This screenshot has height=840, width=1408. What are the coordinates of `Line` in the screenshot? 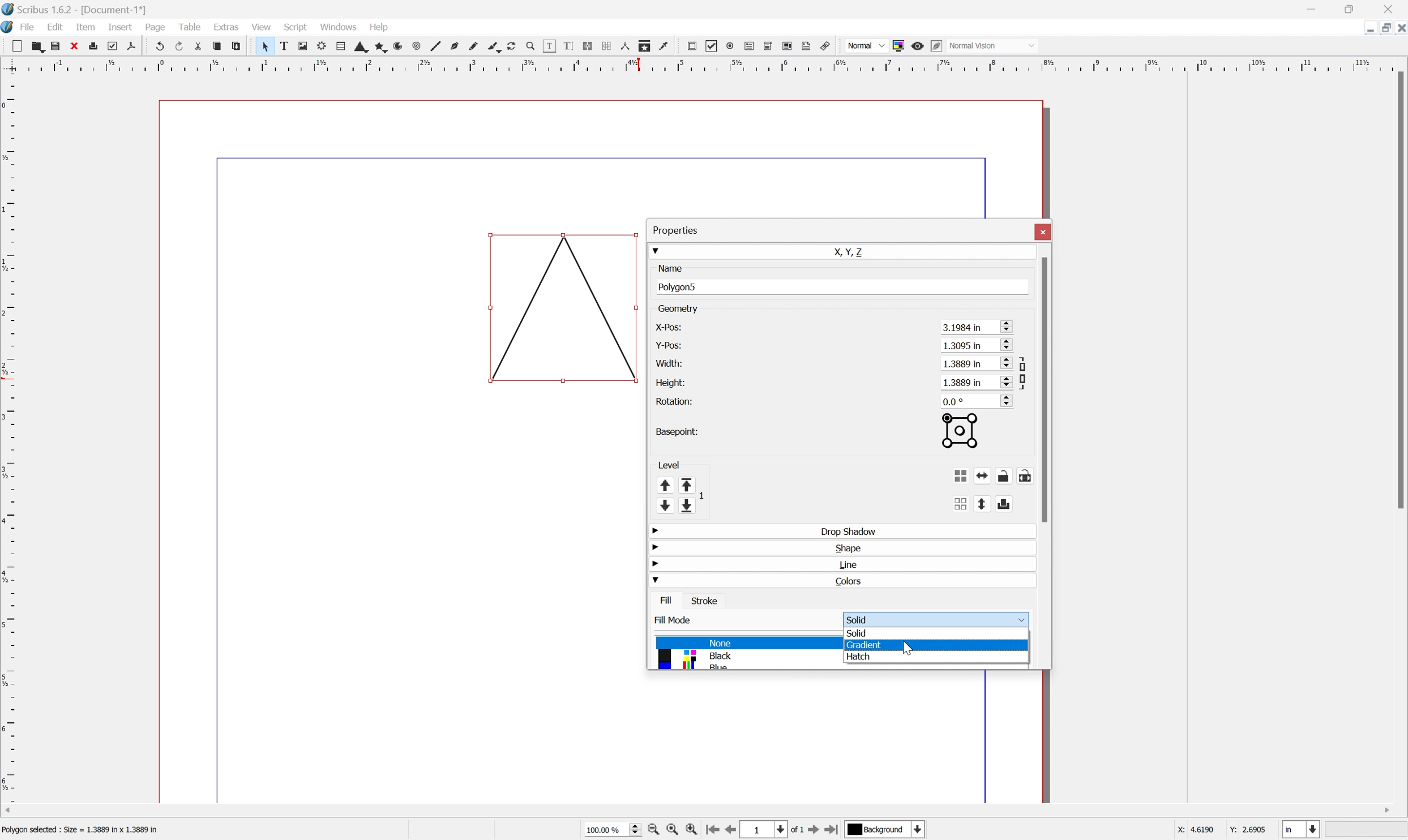 It's located at (434, 46).